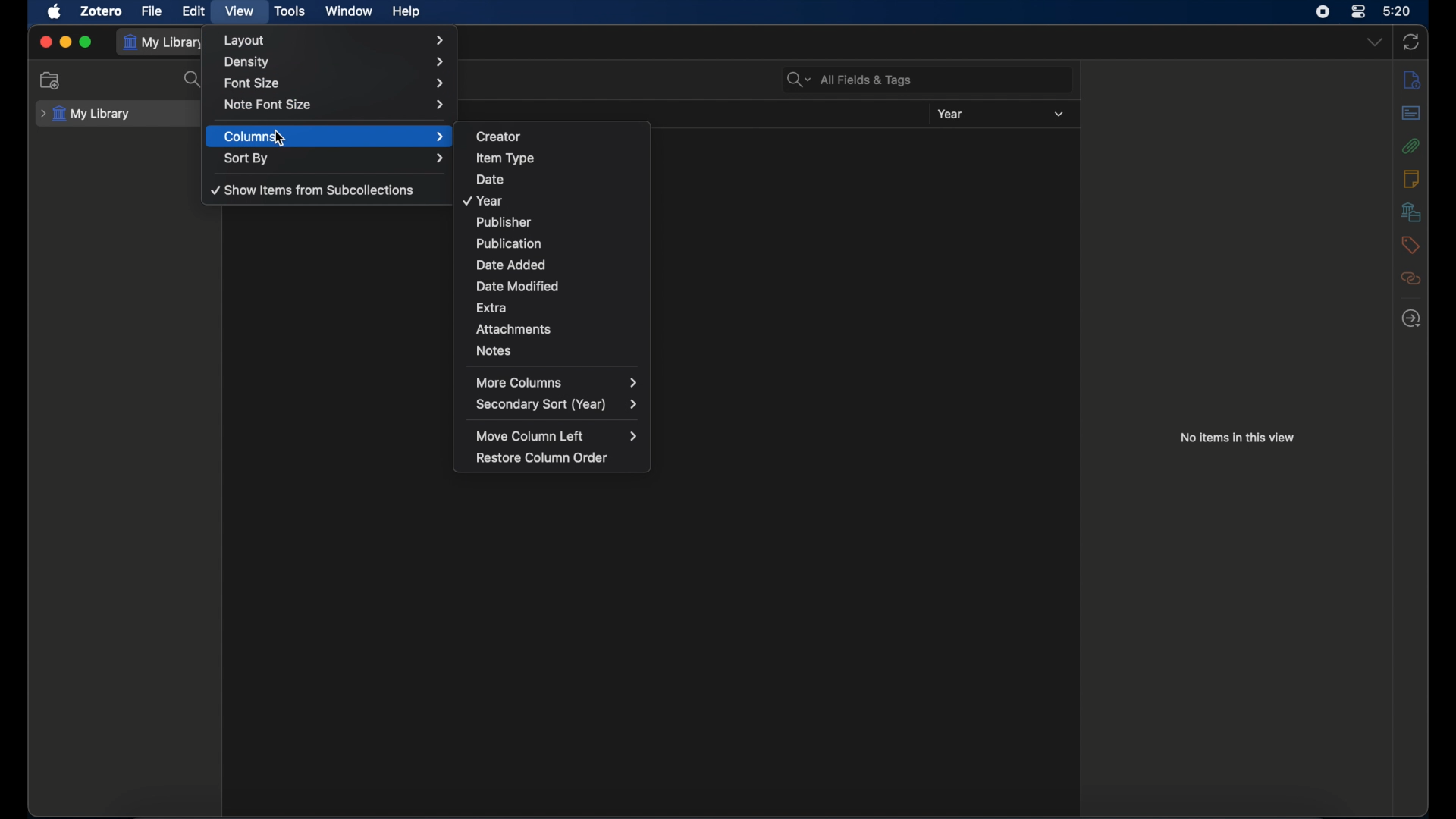  I want to click on dropdown, so click(1373, 41).